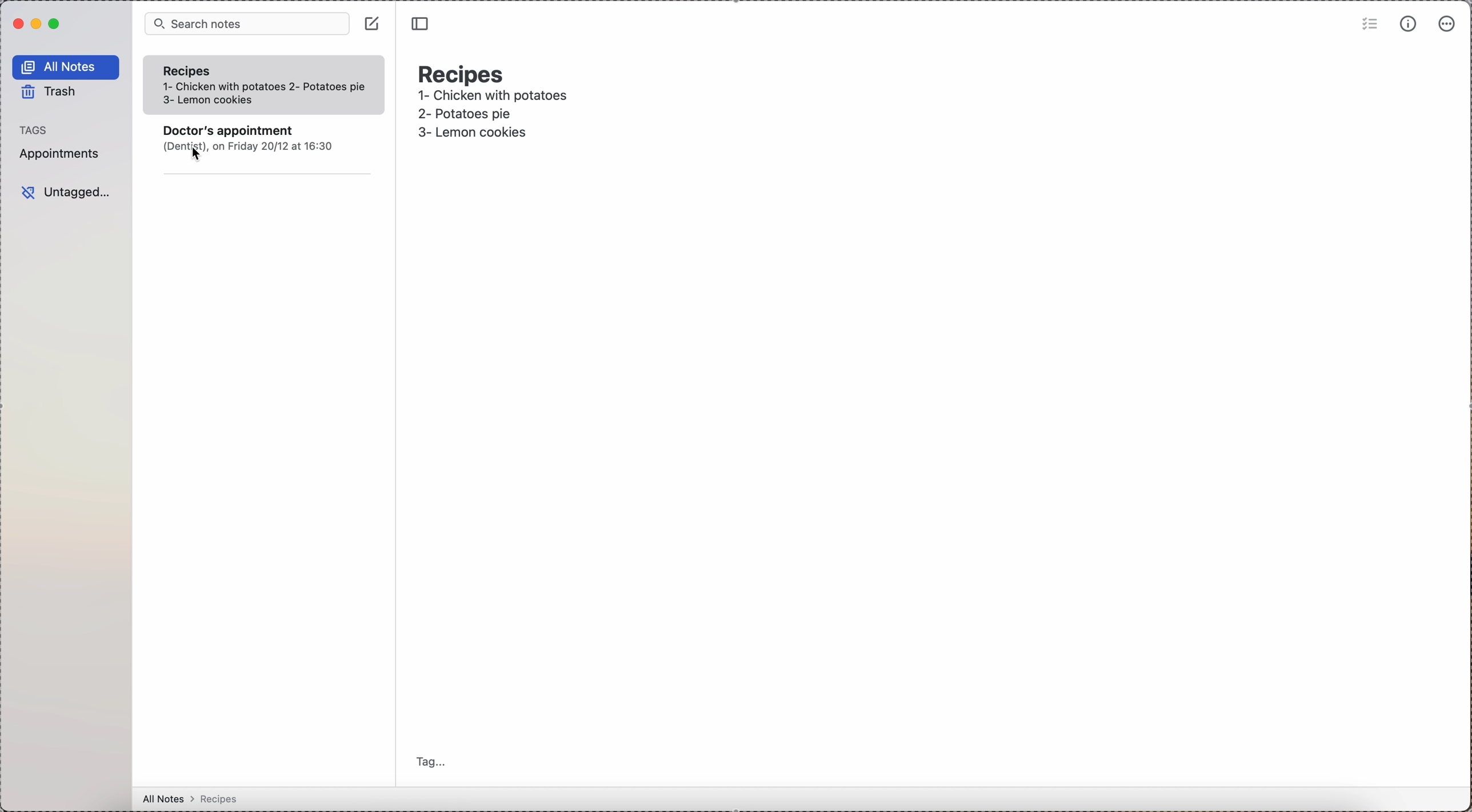  What do you see at coordinates (430, 762) in the screenshot?
I see `tag` at bounding box center [430, 762].